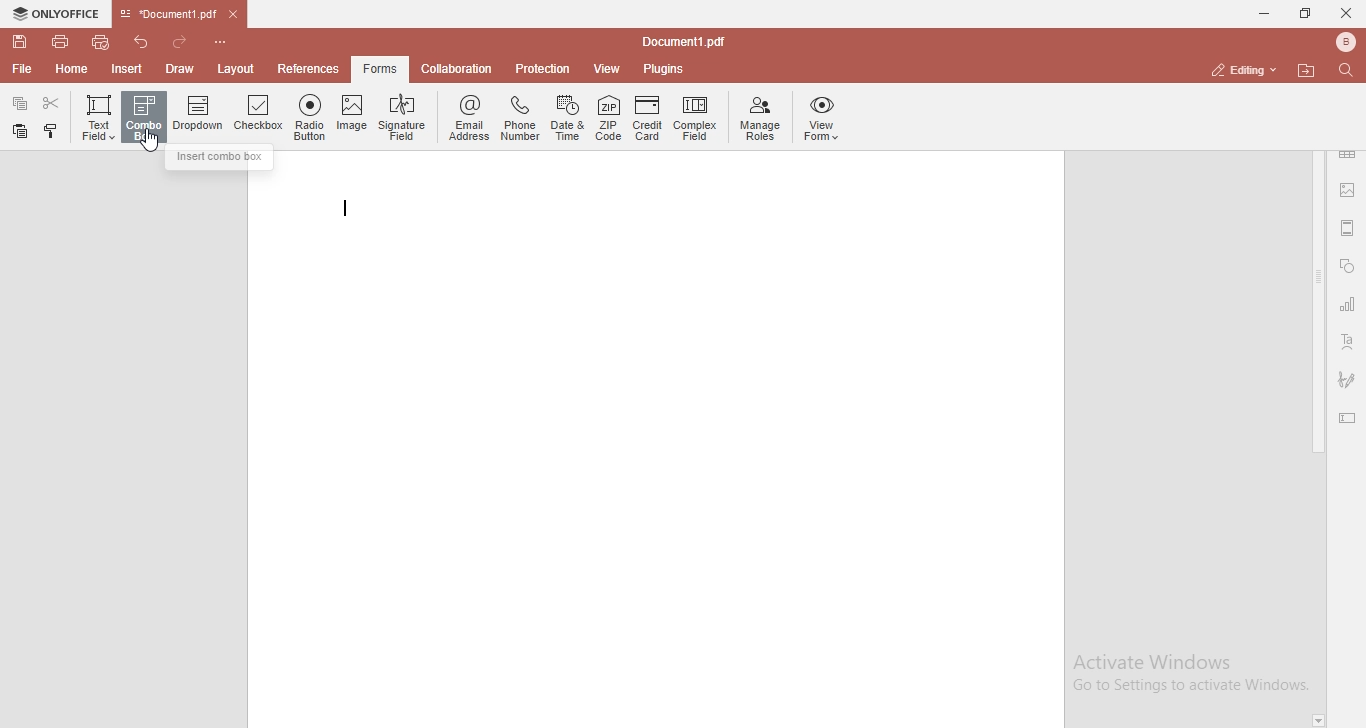 This screenshot has width=1366, height=728. I want to click on radio button, so click(310, 118).